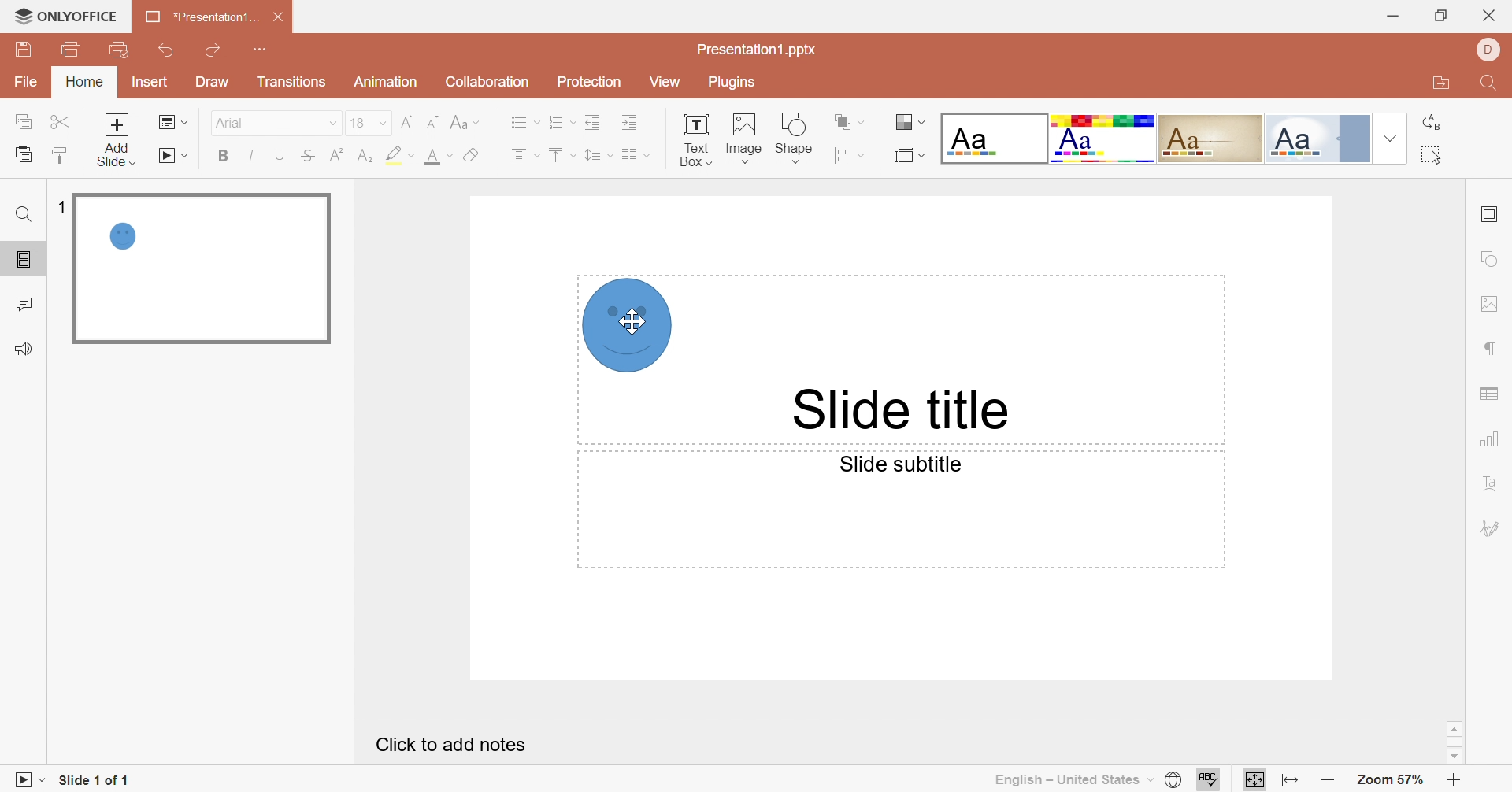  Describe the element at coordinates (1329, 781) in the screenshot. I see `Zoom out` at that location.